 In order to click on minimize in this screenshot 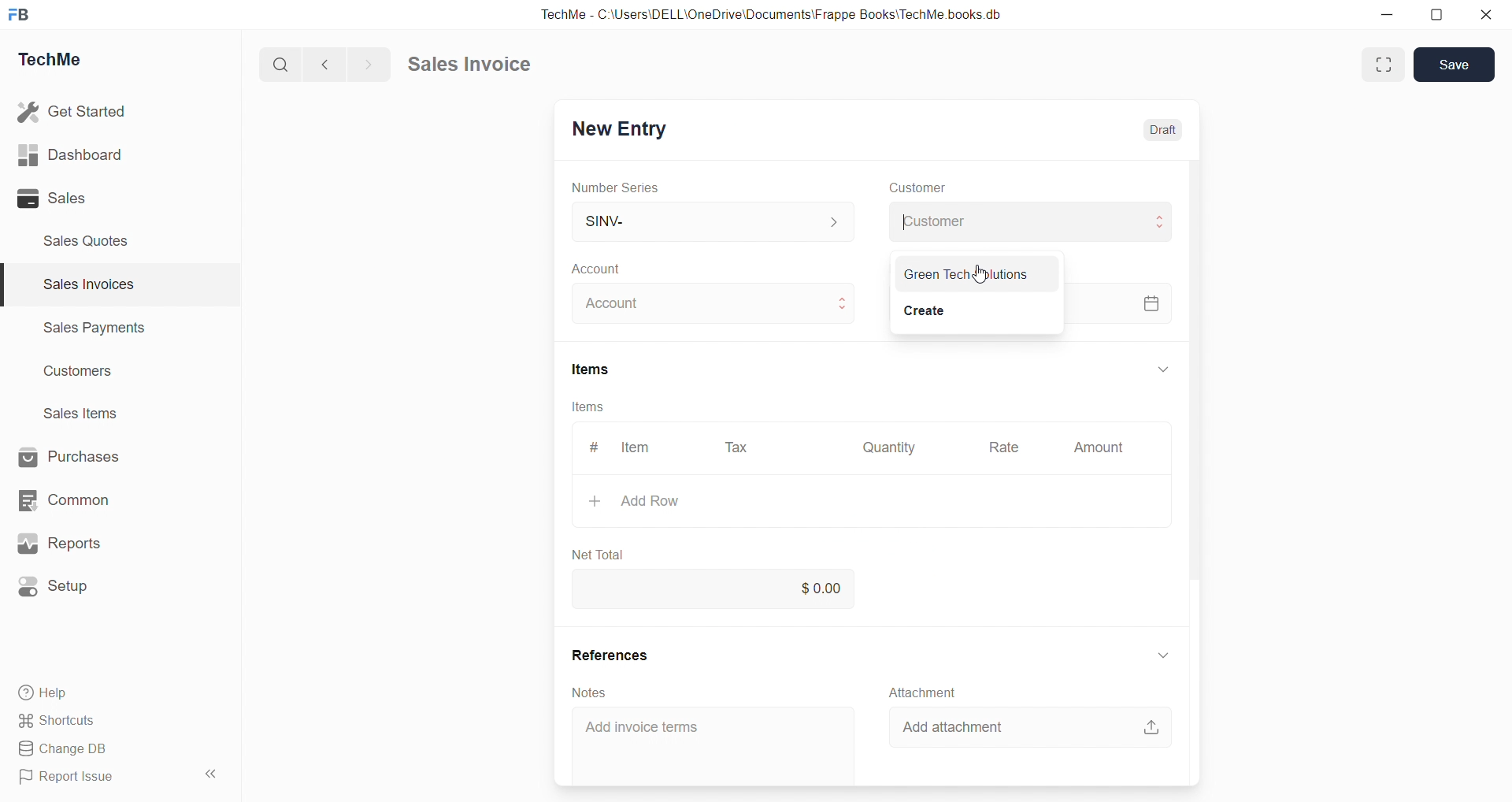, I will do `click(1386, 14)`.